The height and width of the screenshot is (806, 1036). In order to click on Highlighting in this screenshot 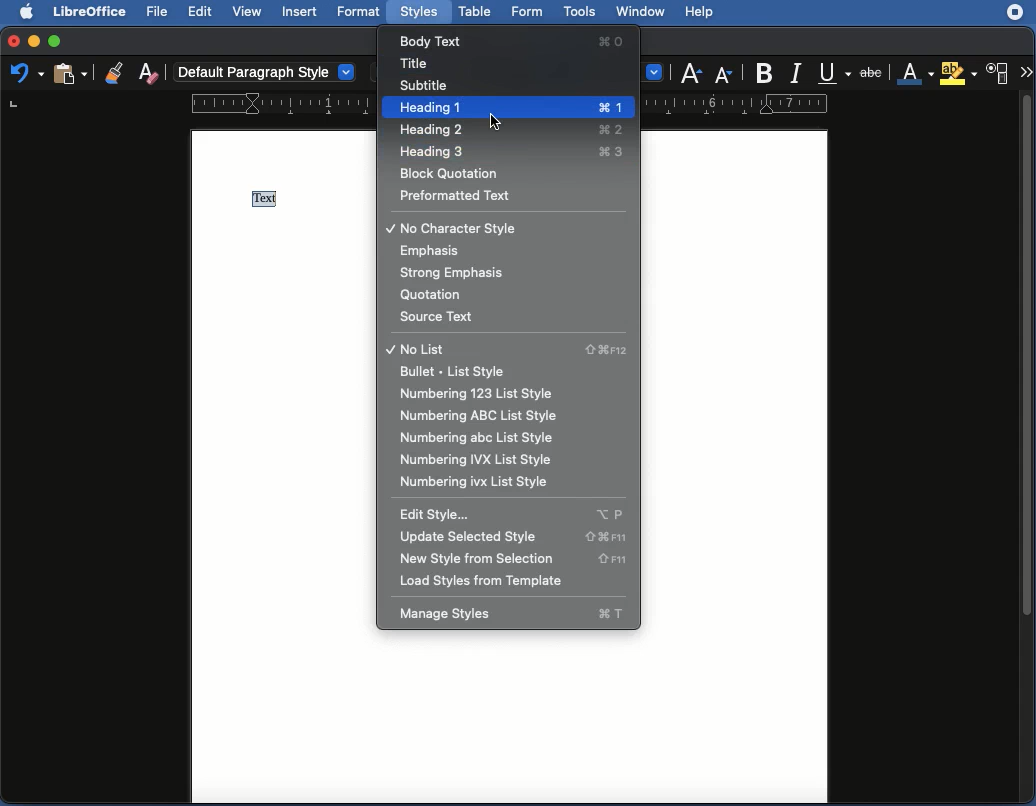, I will do `click(958, 73)`.